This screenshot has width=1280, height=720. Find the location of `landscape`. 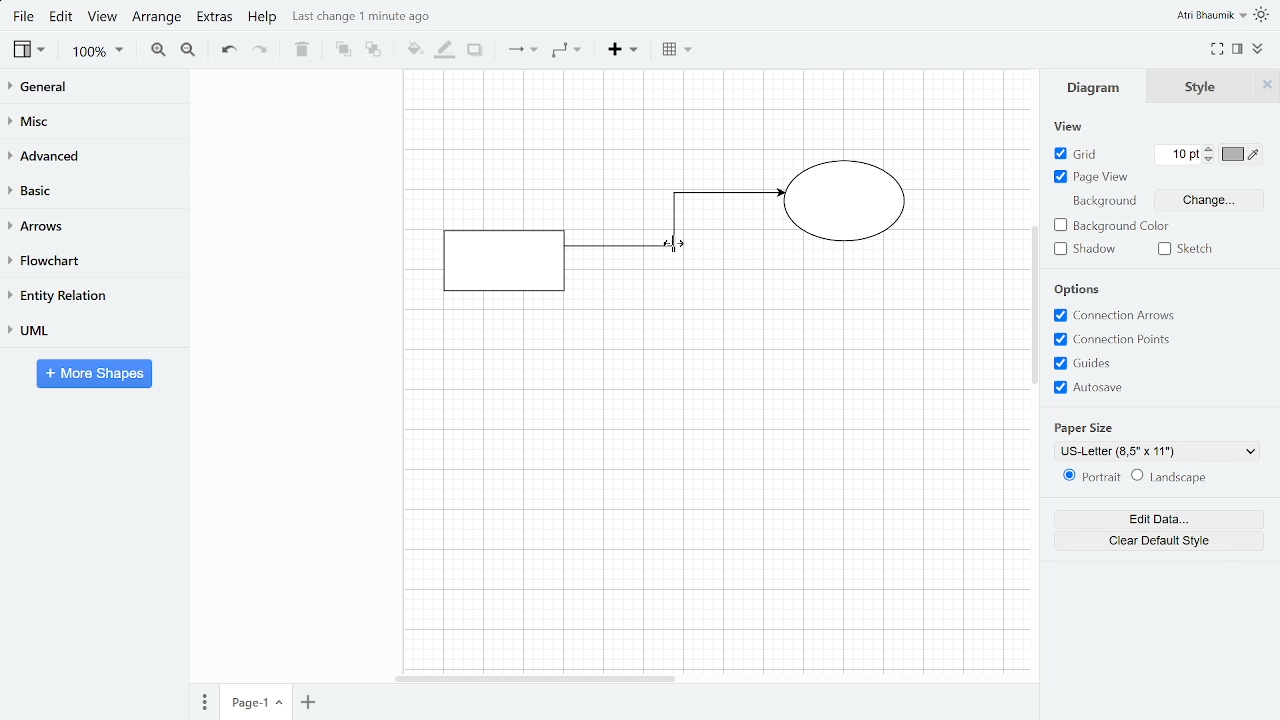

landscape is located at coordinates (1178, 478).